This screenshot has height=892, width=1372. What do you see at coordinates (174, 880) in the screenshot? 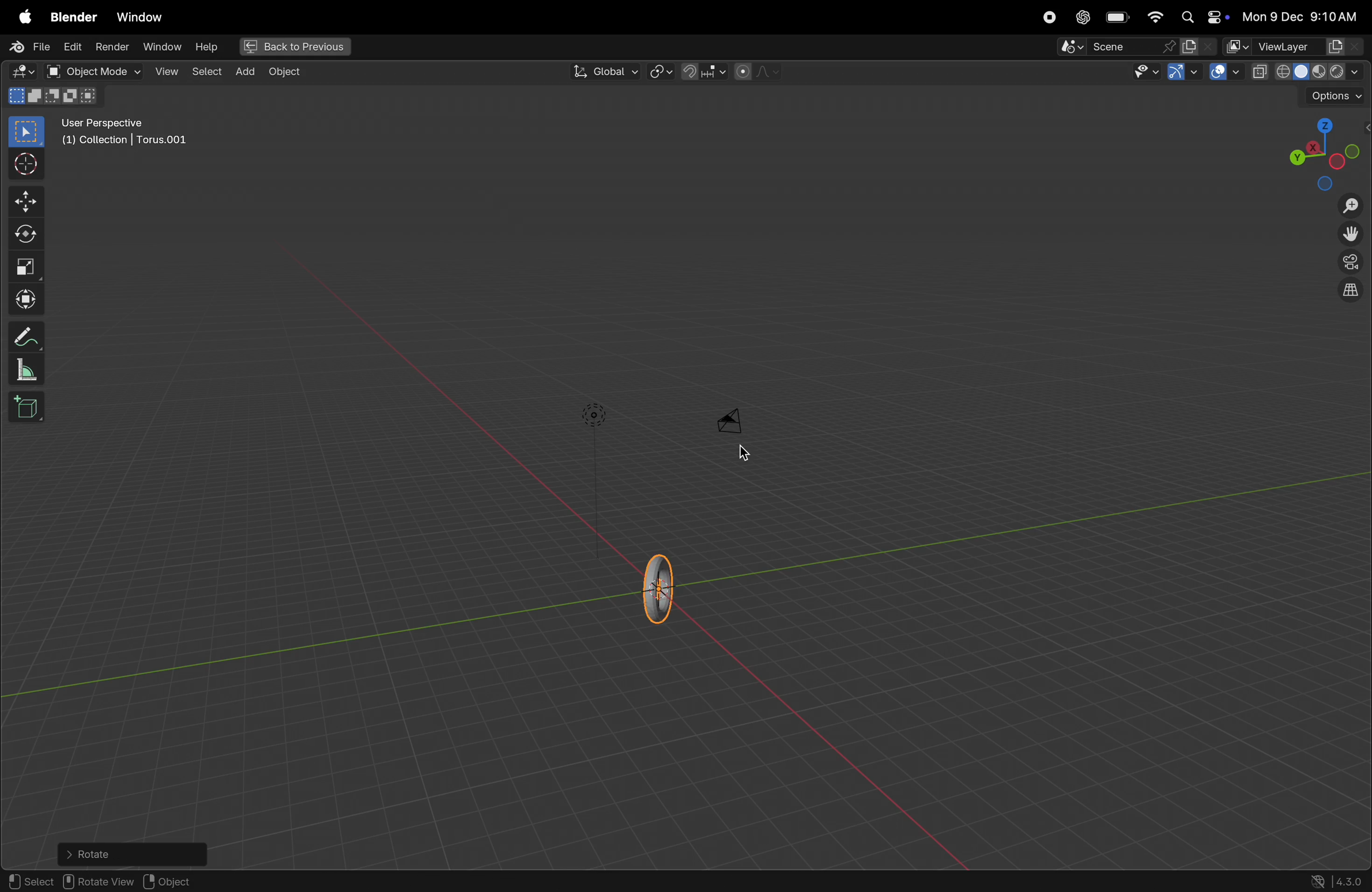
I see `object` at bounding box center [174, 880].